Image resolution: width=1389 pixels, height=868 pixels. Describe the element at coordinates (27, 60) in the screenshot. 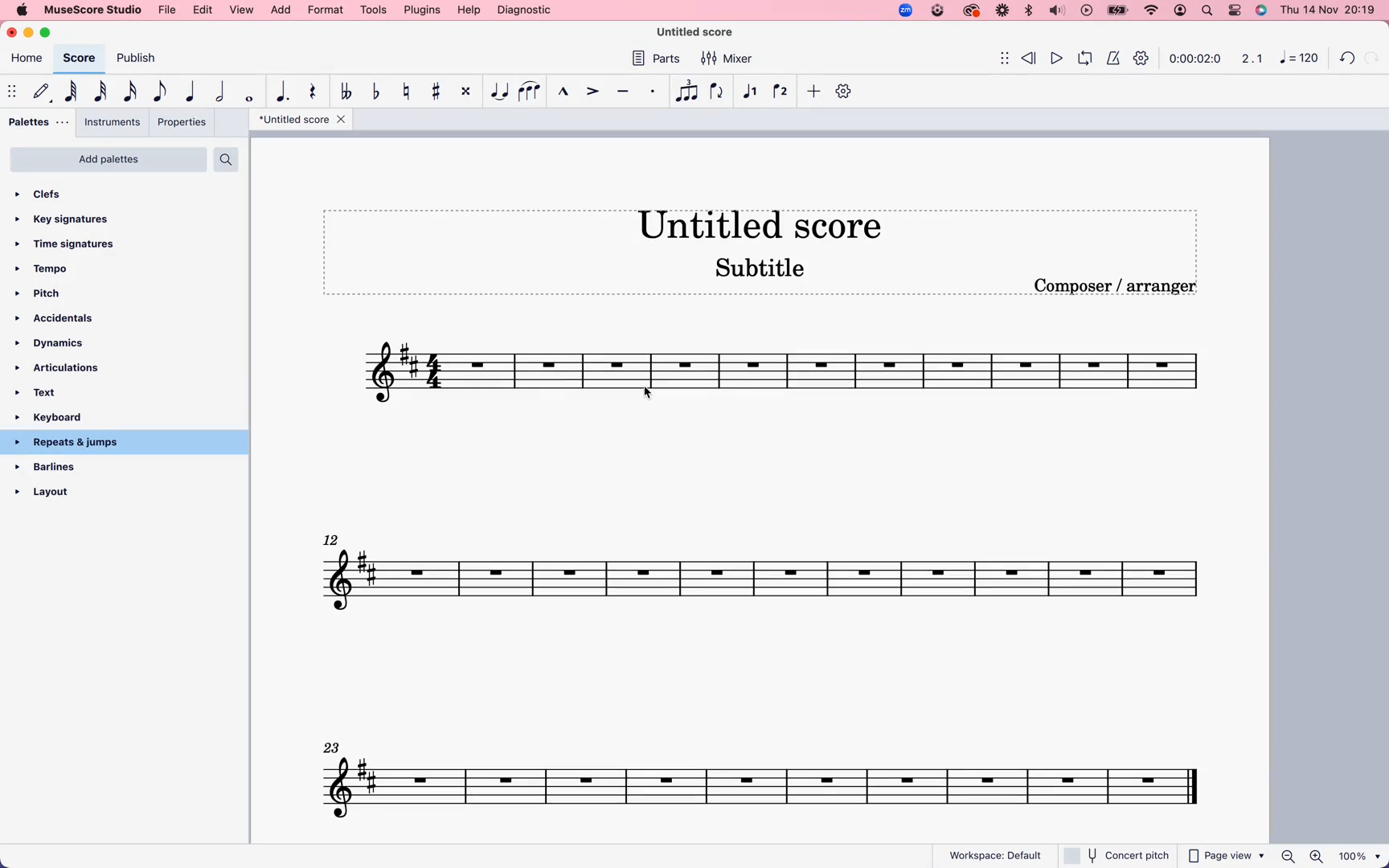

I see `home` at that location.